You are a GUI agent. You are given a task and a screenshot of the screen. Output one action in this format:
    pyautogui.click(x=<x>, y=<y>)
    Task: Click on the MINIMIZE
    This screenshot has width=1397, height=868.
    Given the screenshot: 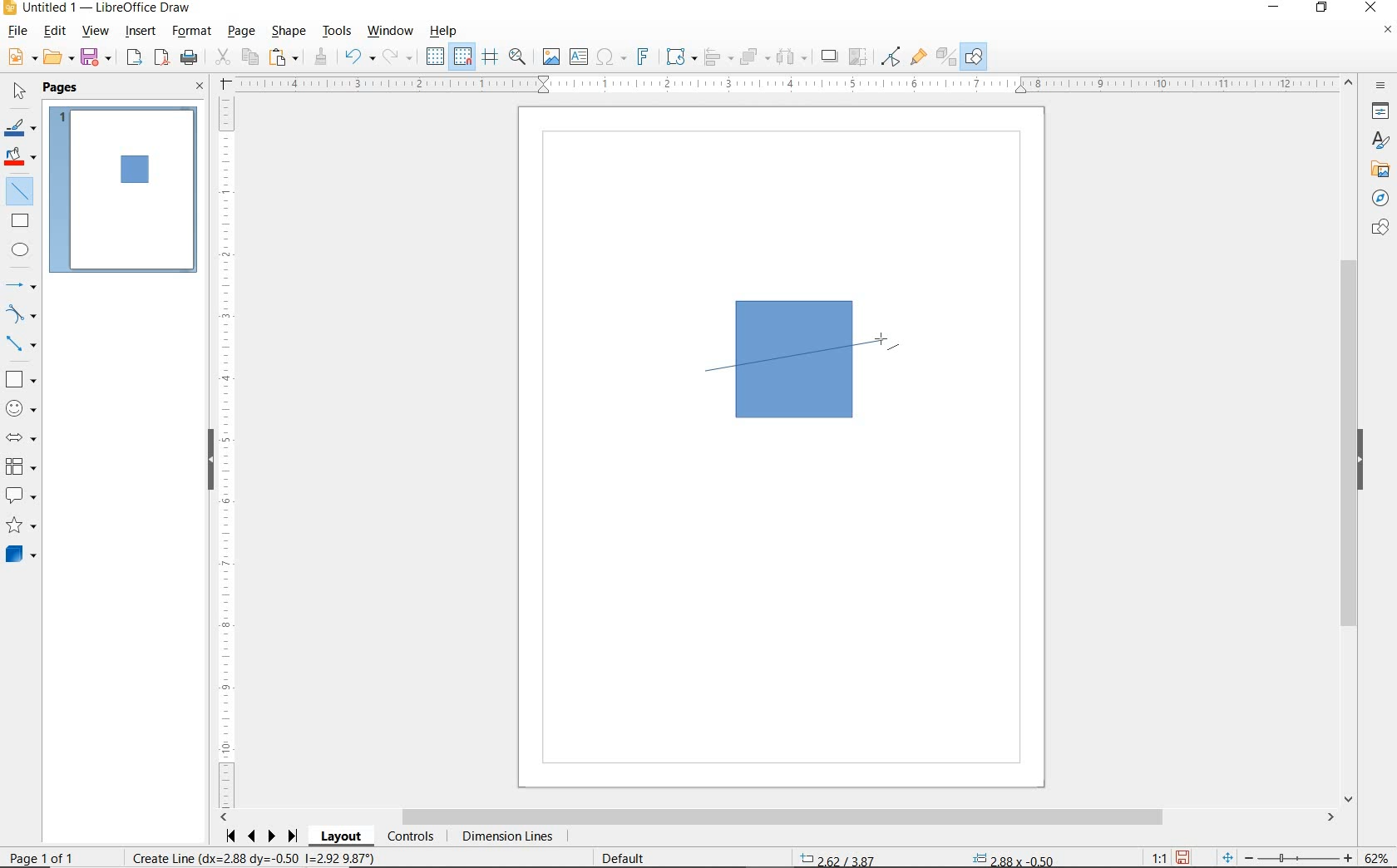 What is the action you would take?
    pyautogui.click(x=1278, y=8)
    